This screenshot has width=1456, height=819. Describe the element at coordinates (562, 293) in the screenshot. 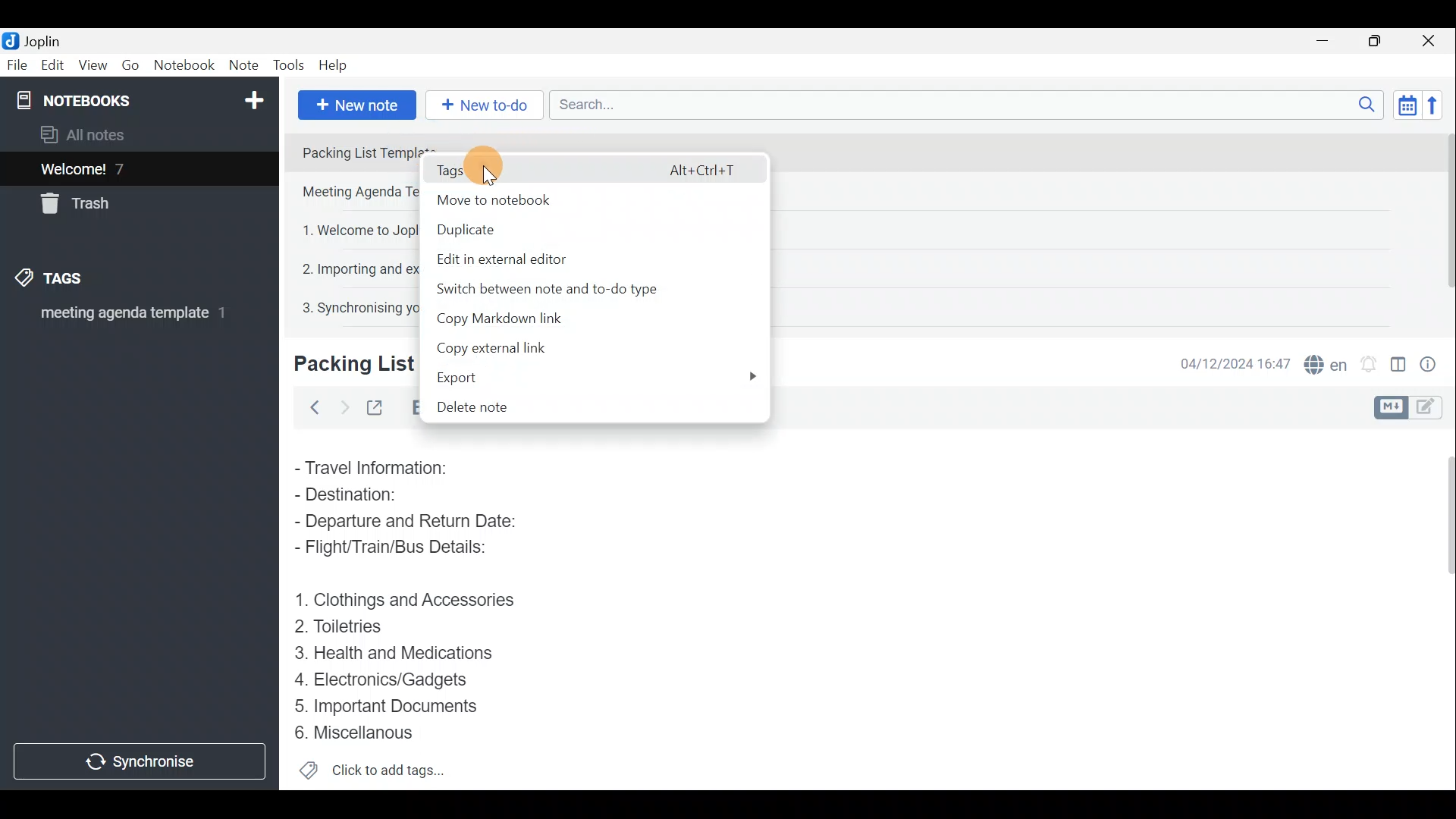

I see `Switch between note and to-do type` at that location.